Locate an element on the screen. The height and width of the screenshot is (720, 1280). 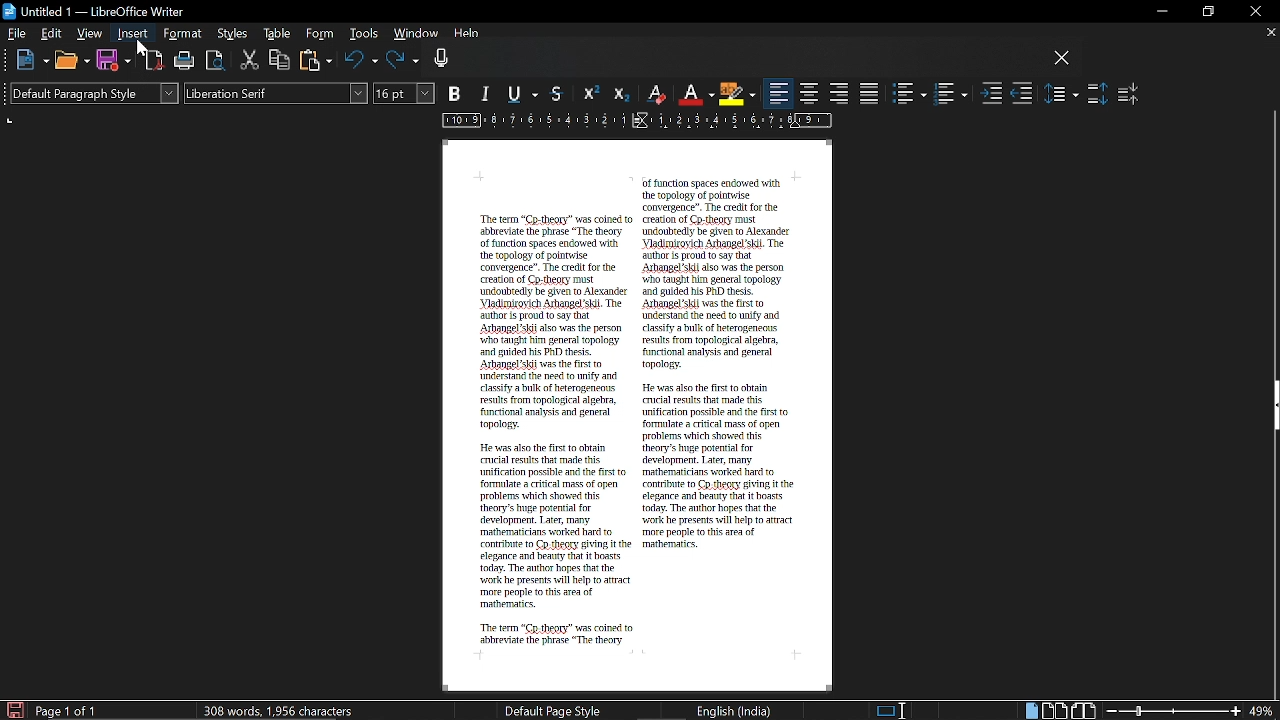
Paste is located at coordinates (316, 60).